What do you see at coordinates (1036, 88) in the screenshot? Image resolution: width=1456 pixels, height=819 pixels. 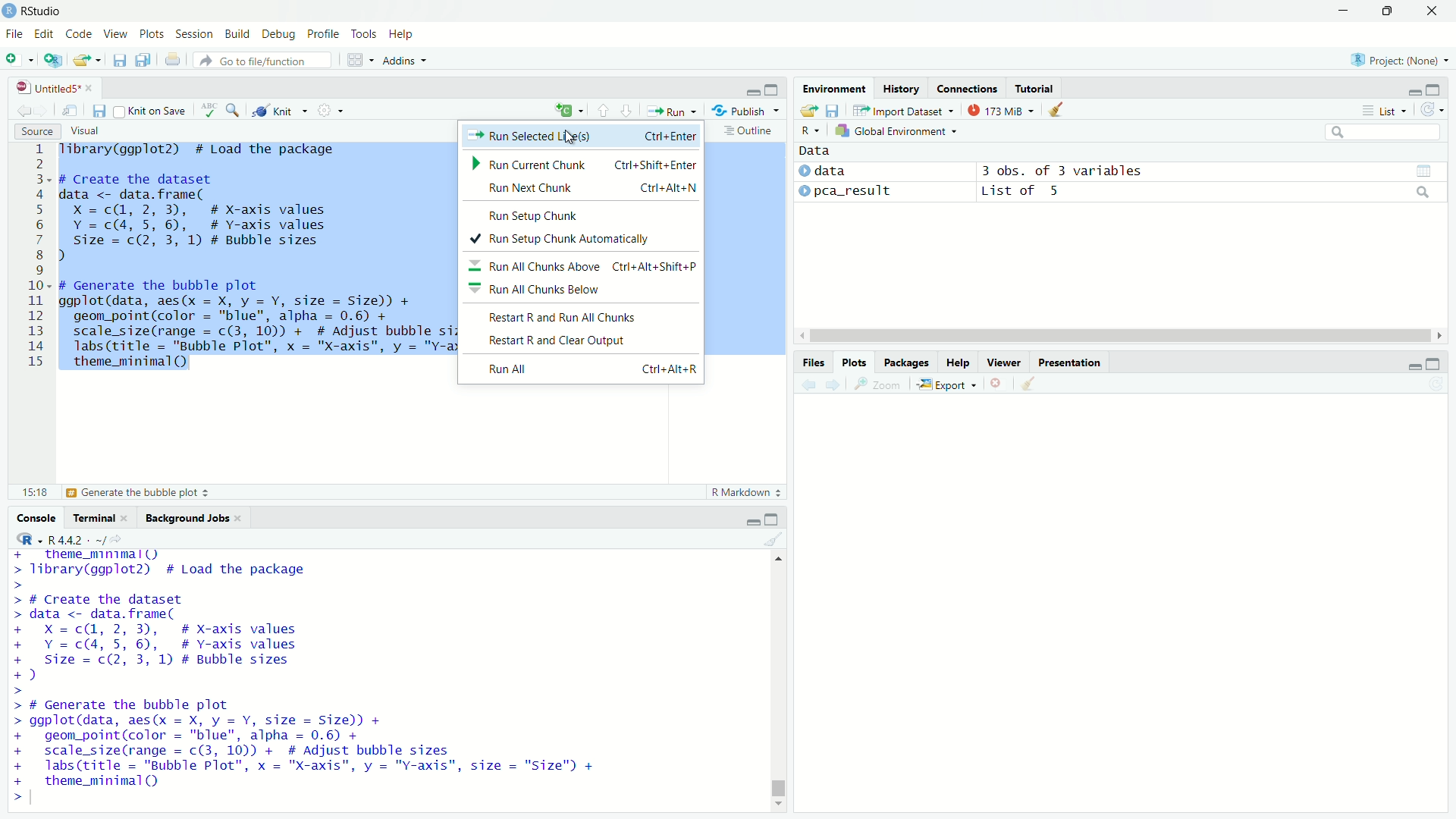 I see `tutorial` at bounding box center [1036, 88].